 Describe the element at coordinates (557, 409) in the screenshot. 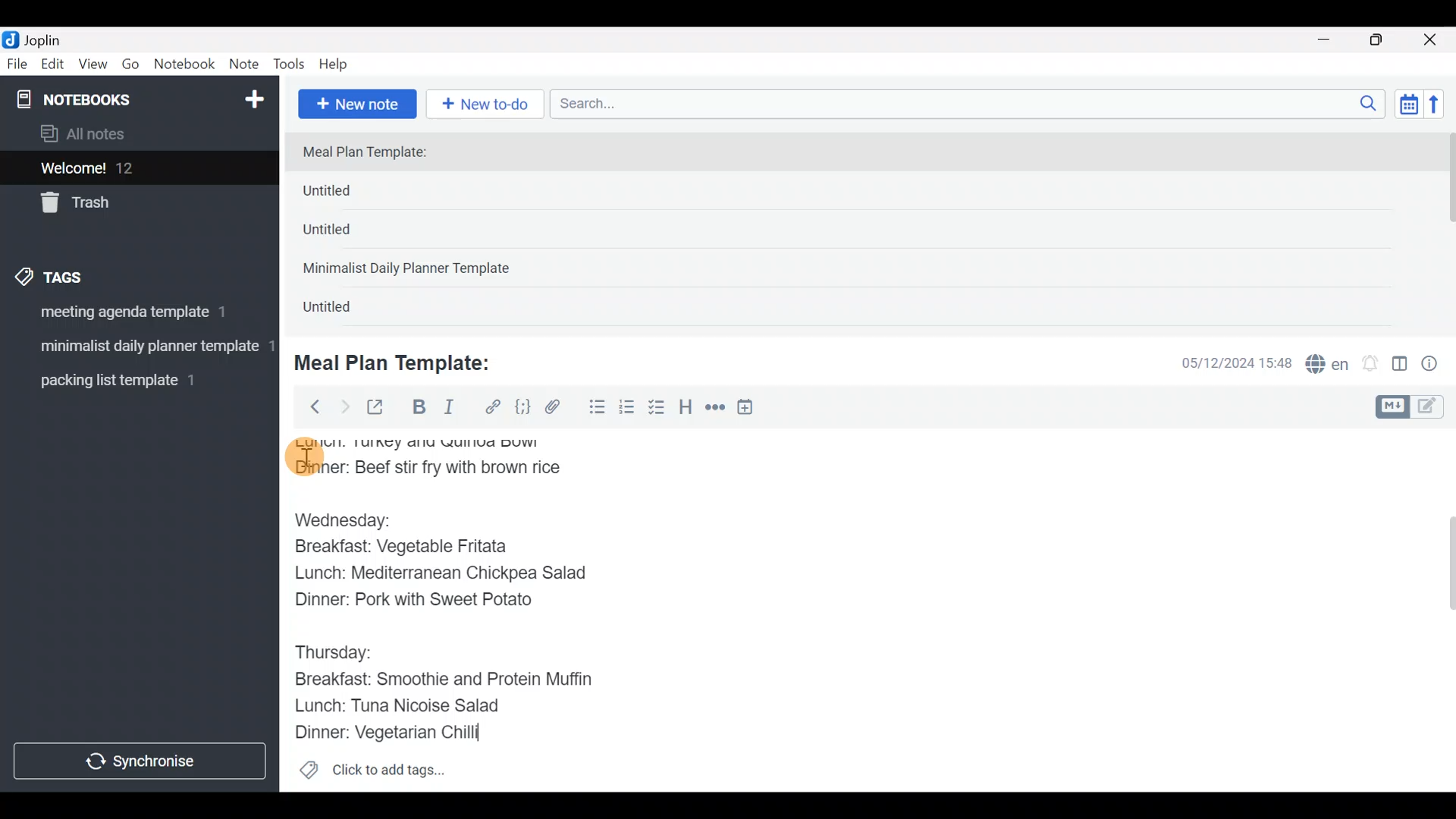

I see `Attach file` at that location.